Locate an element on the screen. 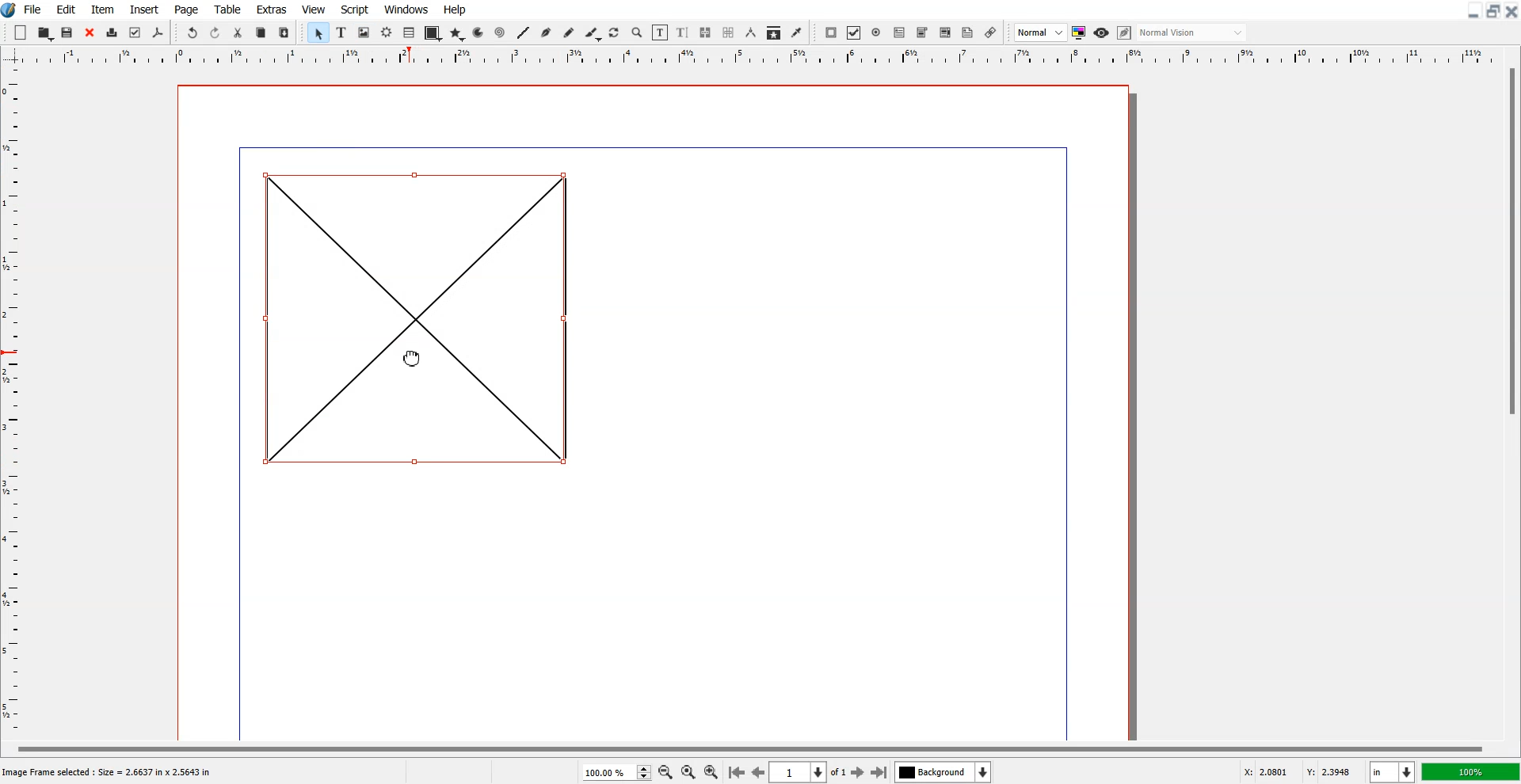  Rotate Item is located at coordinates (615, 33).